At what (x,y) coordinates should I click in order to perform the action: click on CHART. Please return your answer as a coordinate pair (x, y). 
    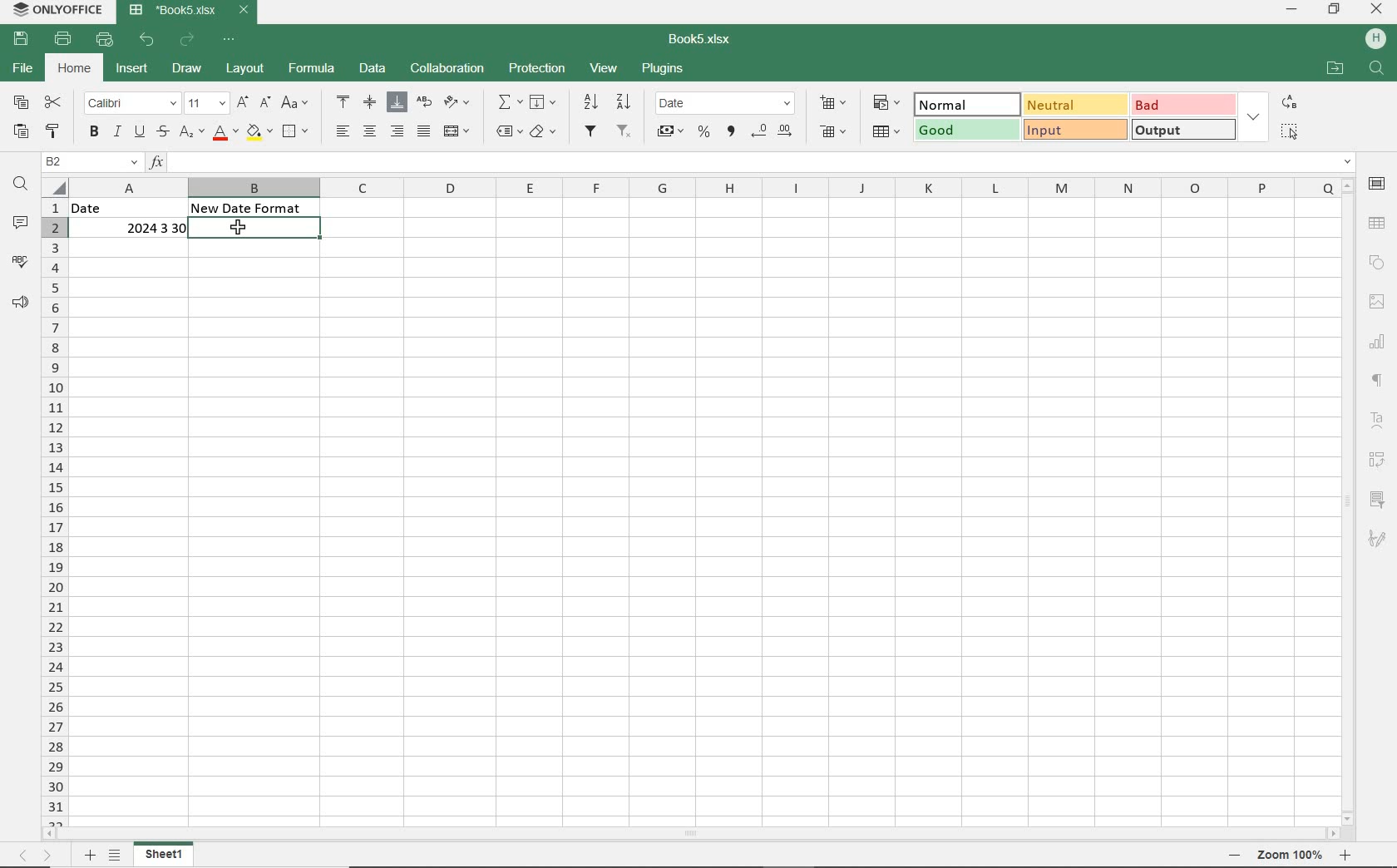
    Looking at the image, I should click on (1380, 339).